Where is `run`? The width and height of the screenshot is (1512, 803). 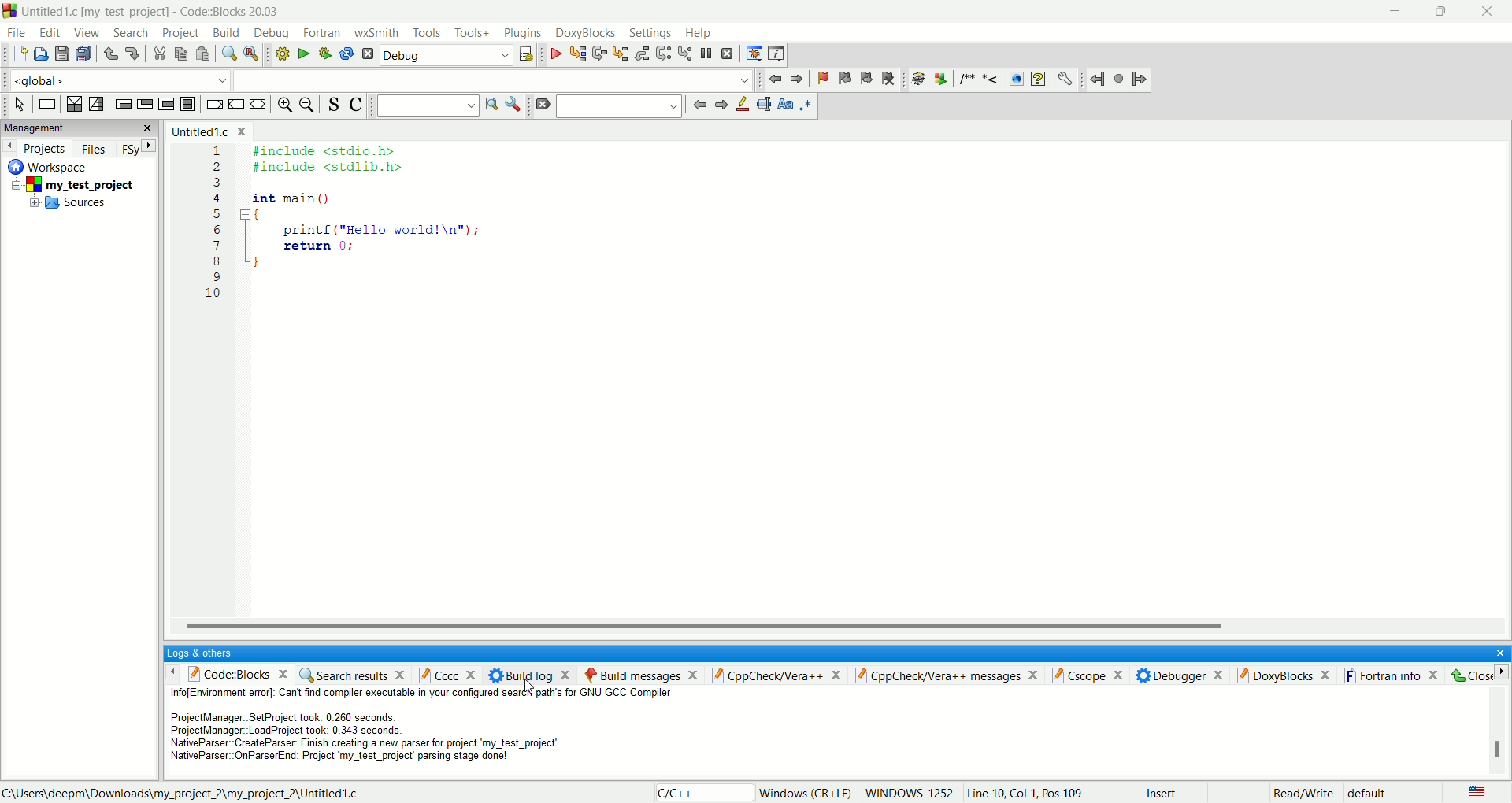
run is located at coordinates (300, 54).